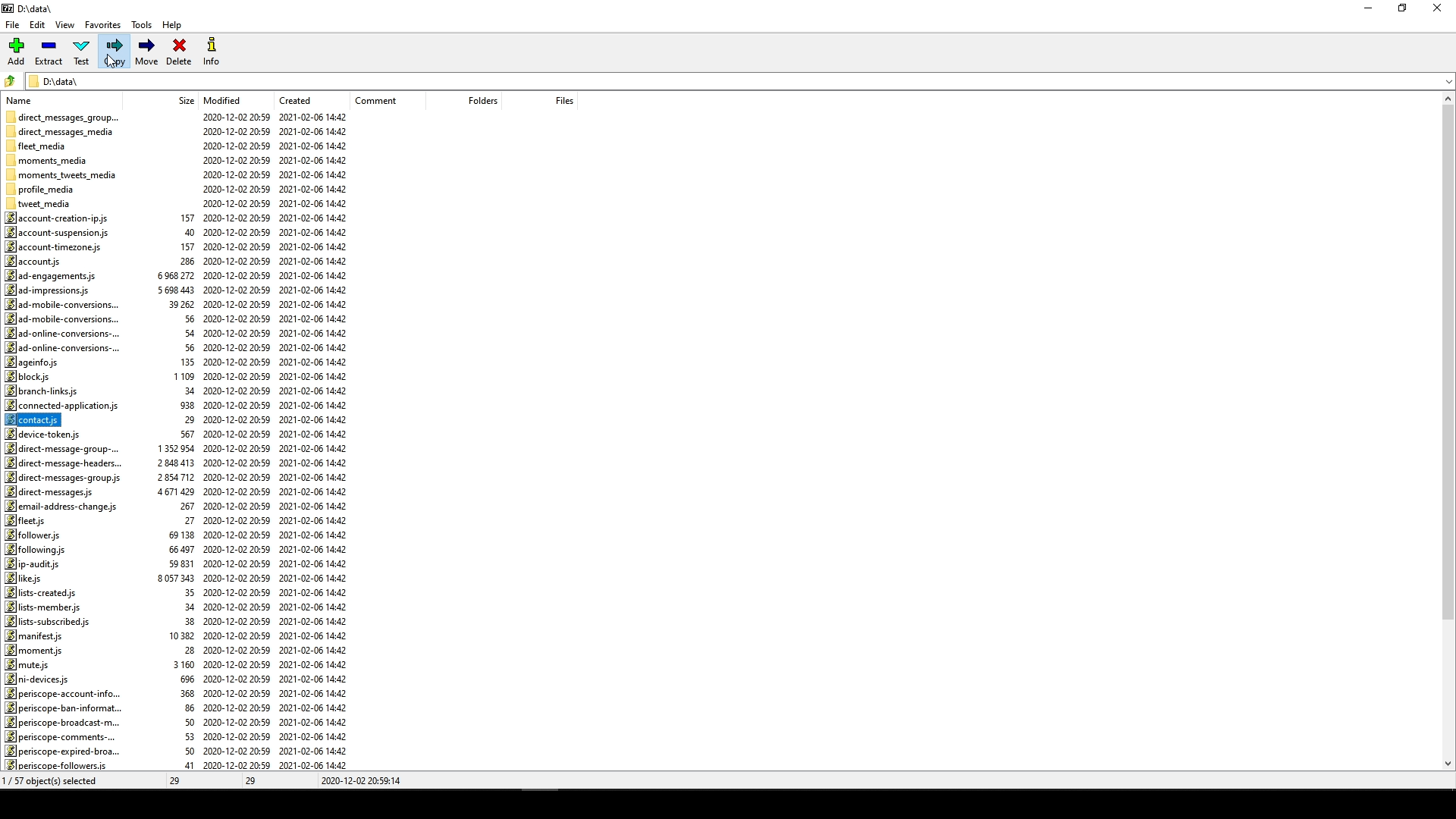 The width and height of the screenshot is (1456, 819). What do you see at coordinates (294, 99) in the screenshot?
I see `created` at bounding box center [294, 99].